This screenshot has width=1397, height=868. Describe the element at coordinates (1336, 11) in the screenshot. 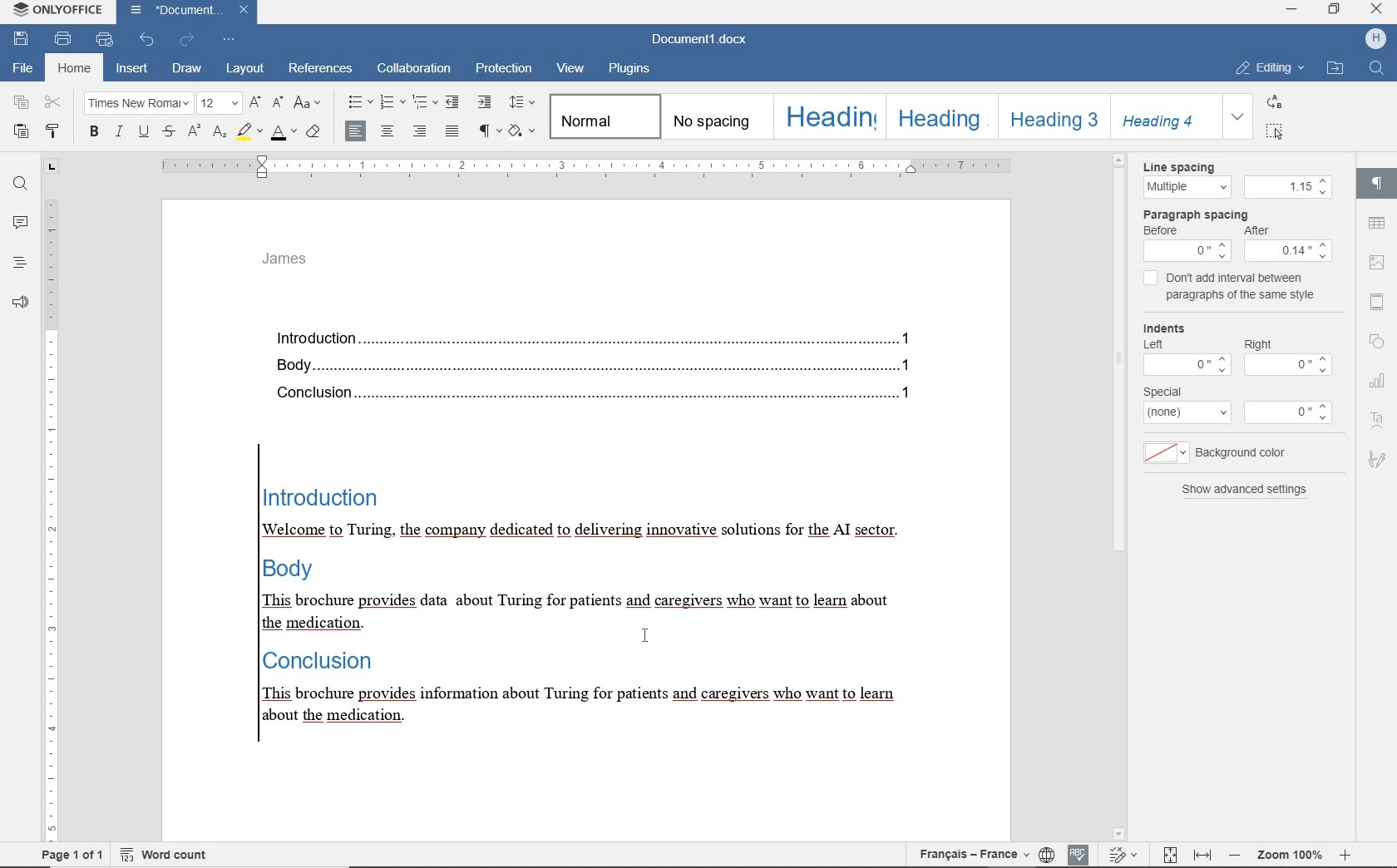

I see `restore down` at that location.